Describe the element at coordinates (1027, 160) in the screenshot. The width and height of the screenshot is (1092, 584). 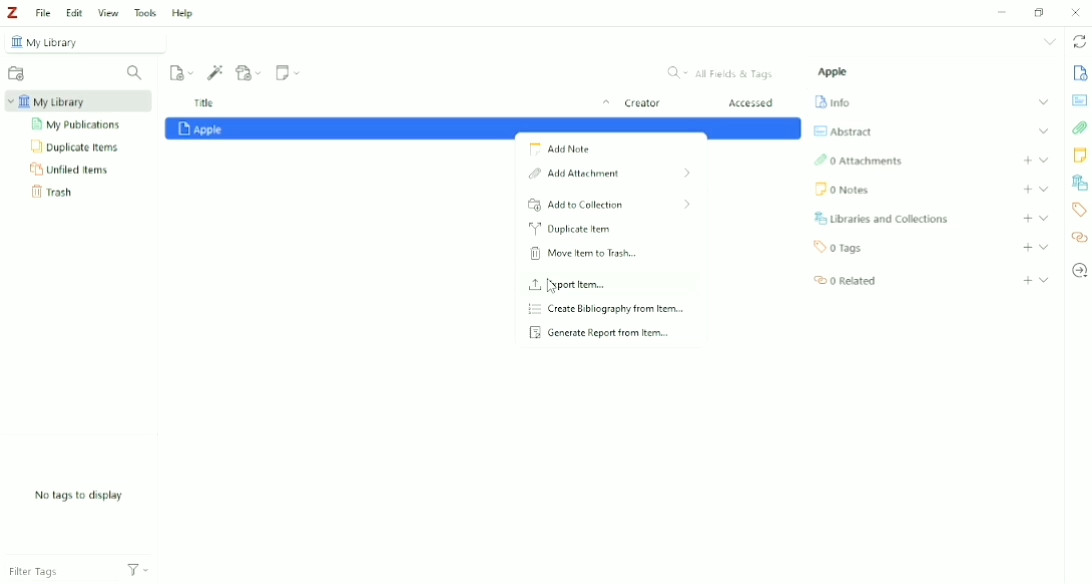
I see `Add` at that location.